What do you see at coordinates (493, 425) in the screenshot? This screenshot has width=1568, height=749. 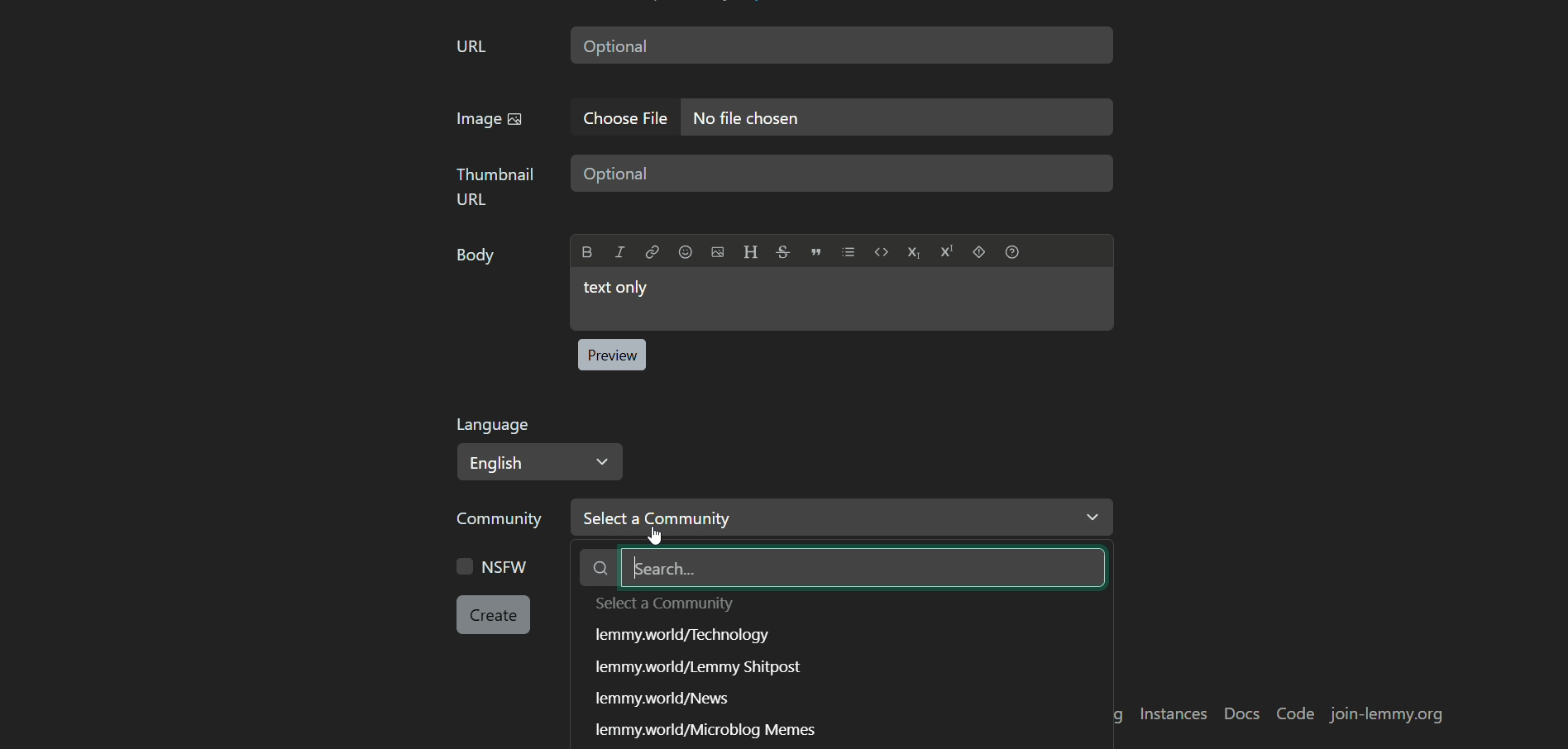 I see `Language` at bounding box center [493, 425].